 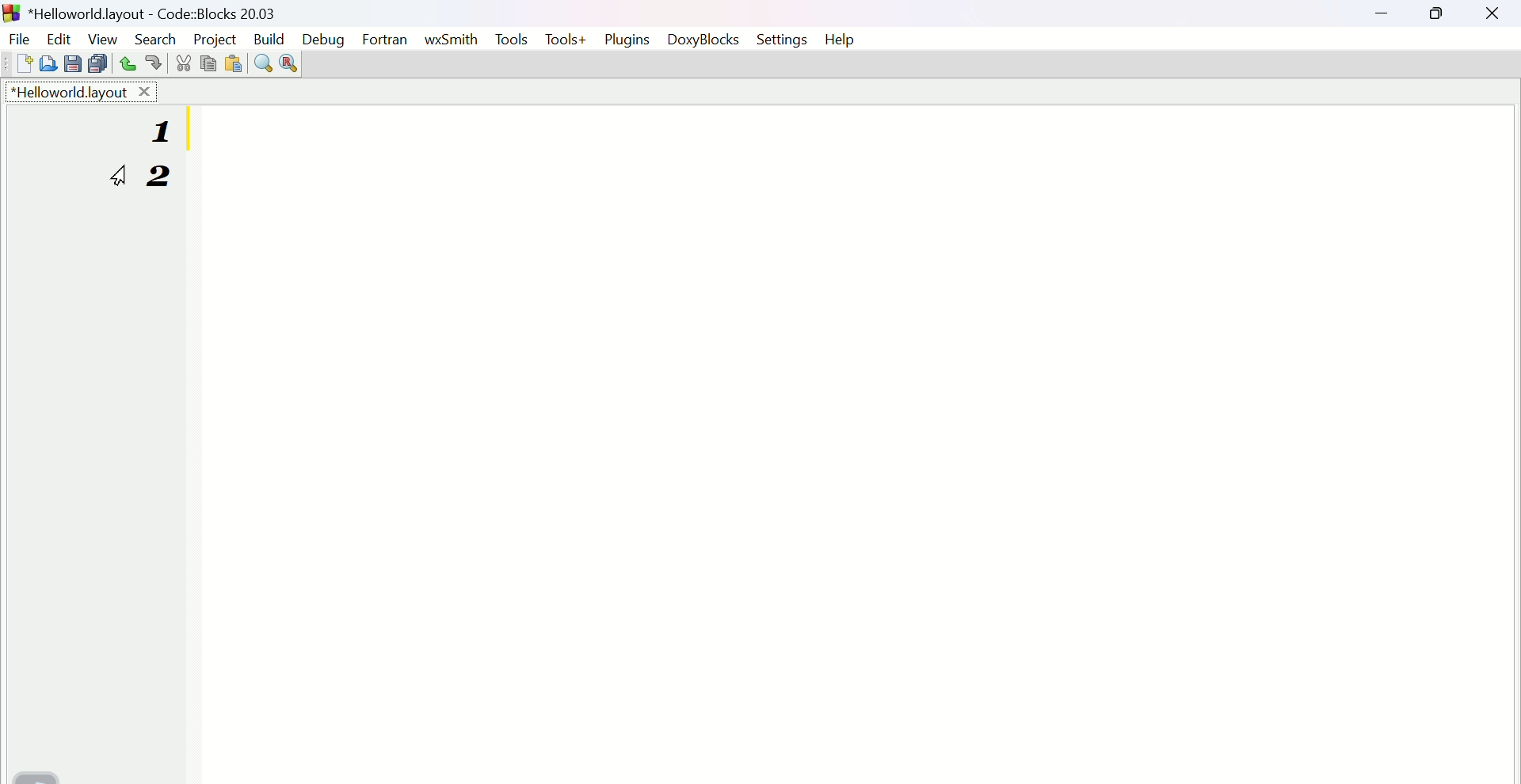 What do you see at coordinates (119, 177) in the screenshot?
I see `cursor` at bounding box center [119, 177].